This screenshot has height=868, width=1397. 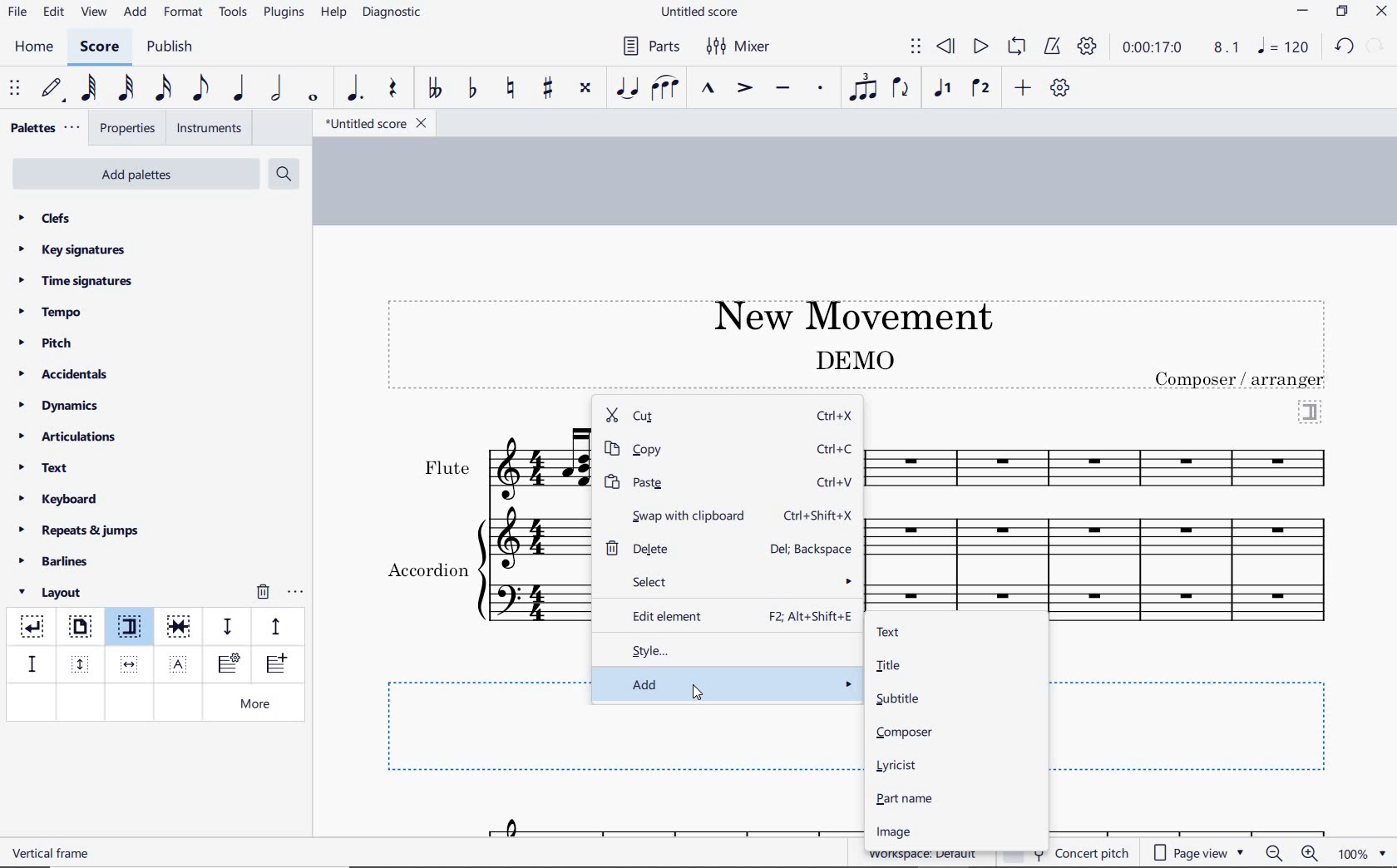 What do you see at coordinates (374, 124) in the screenshot?
I see `file name` at bounding box center [374, 124].